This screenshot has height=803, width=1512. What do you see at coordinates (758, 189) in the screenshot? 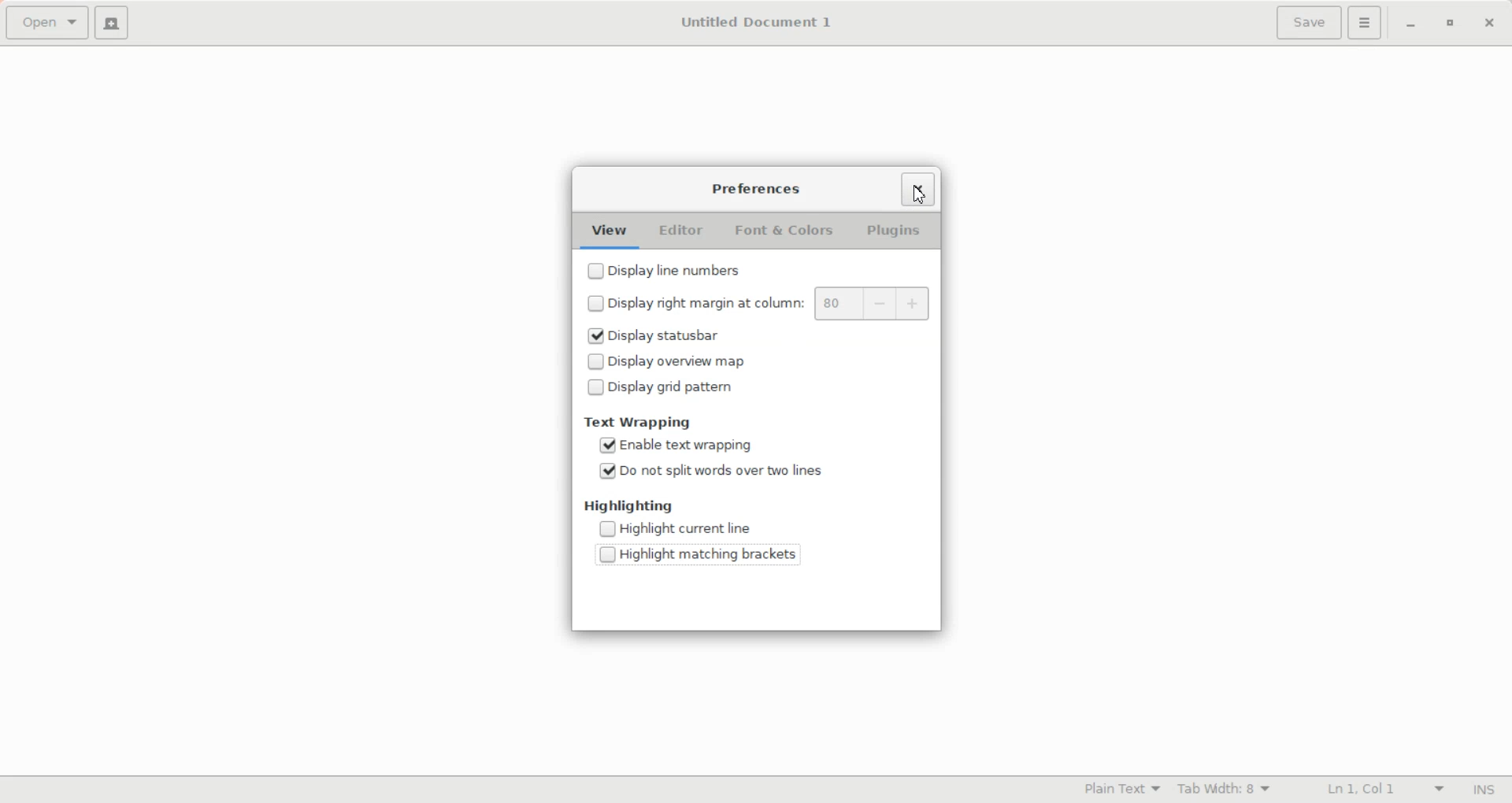
I see `Preferences` at bounding box center [758, 189].